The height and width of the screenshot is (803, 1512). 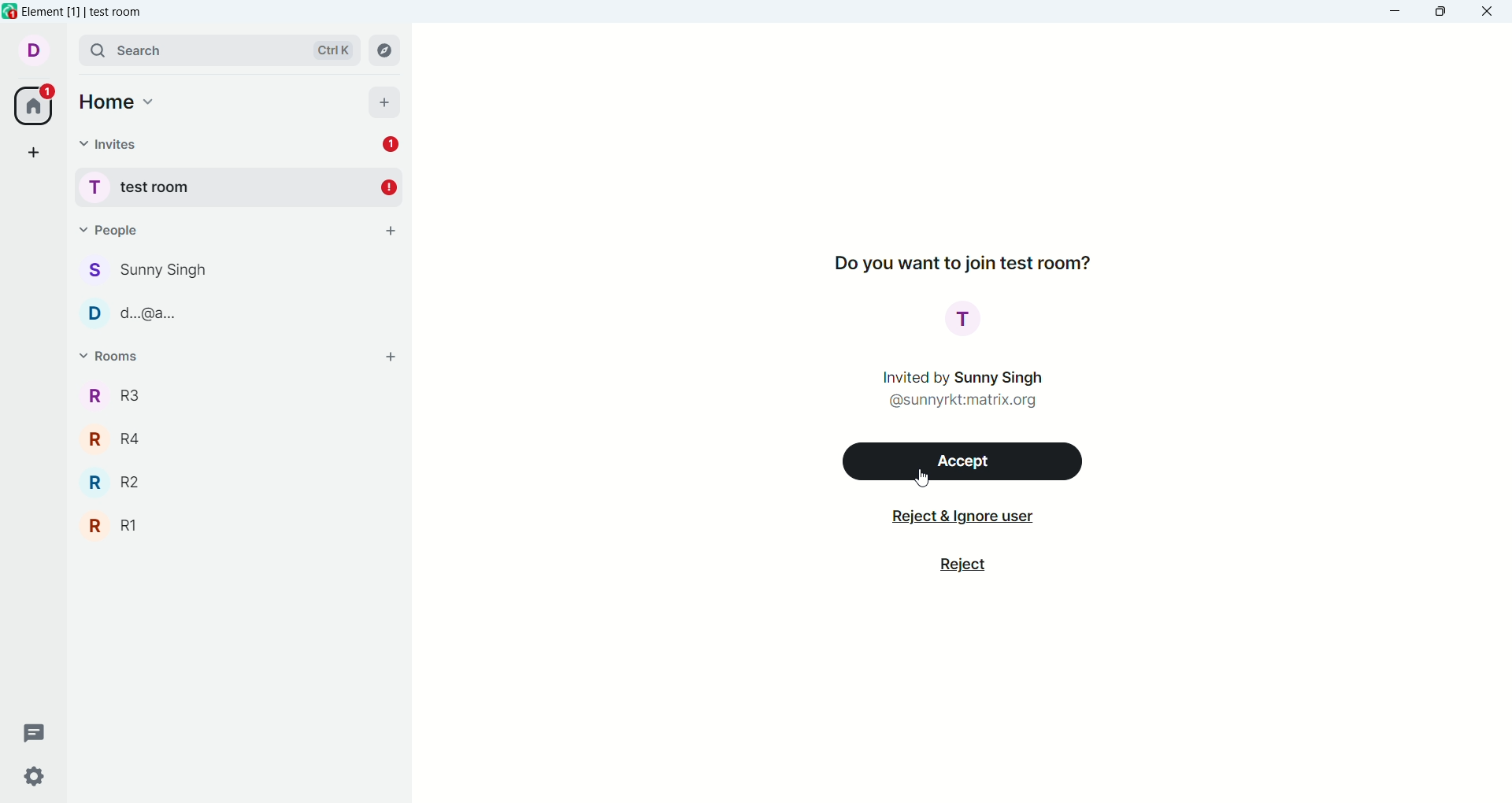 What do you see at coordinates (391, 232) in the screenshot?
I see `add` at bounding box center [391, 232].